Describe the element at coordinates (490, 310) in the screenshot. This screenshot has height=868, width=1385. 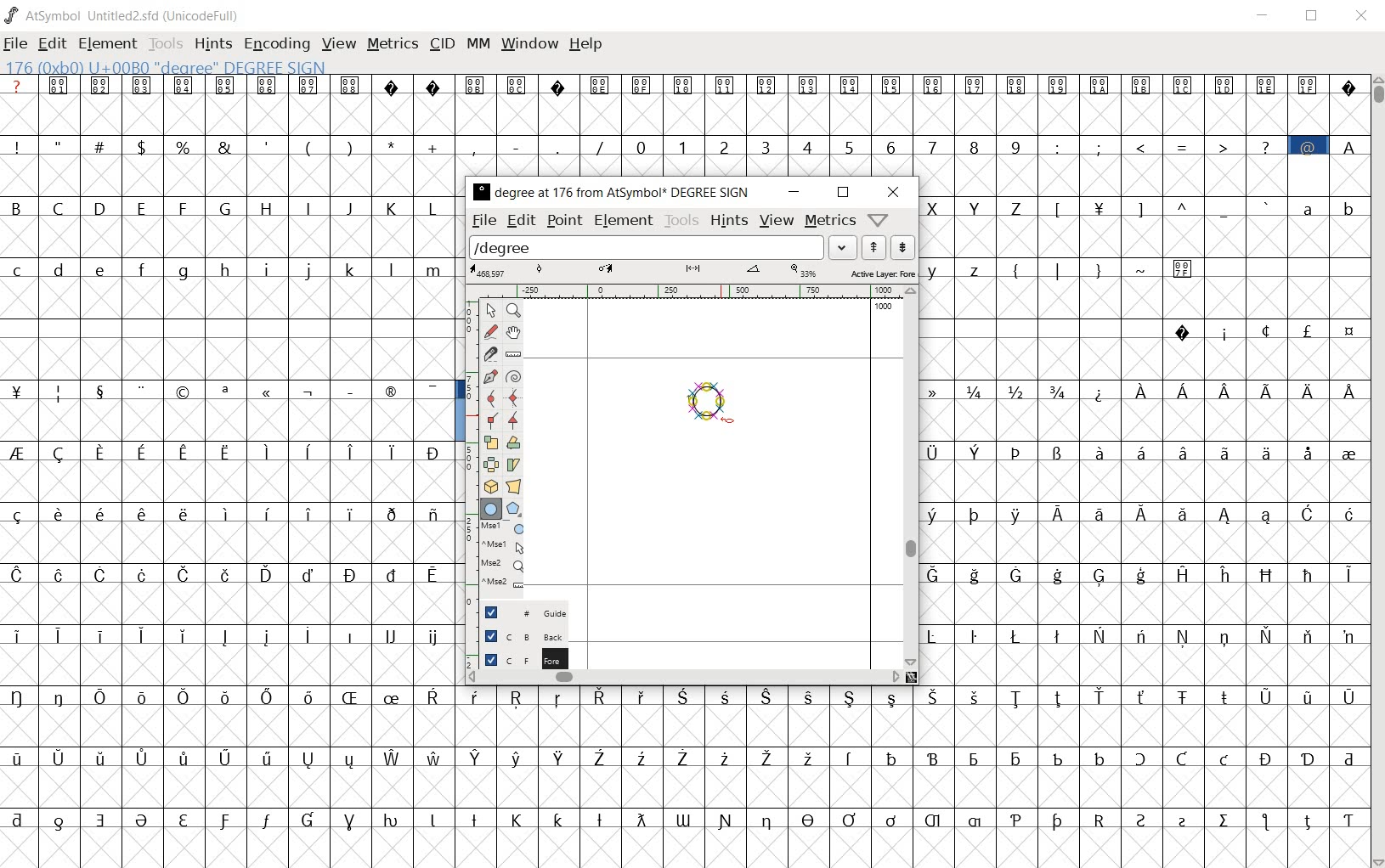
I see `pointer` at that location.